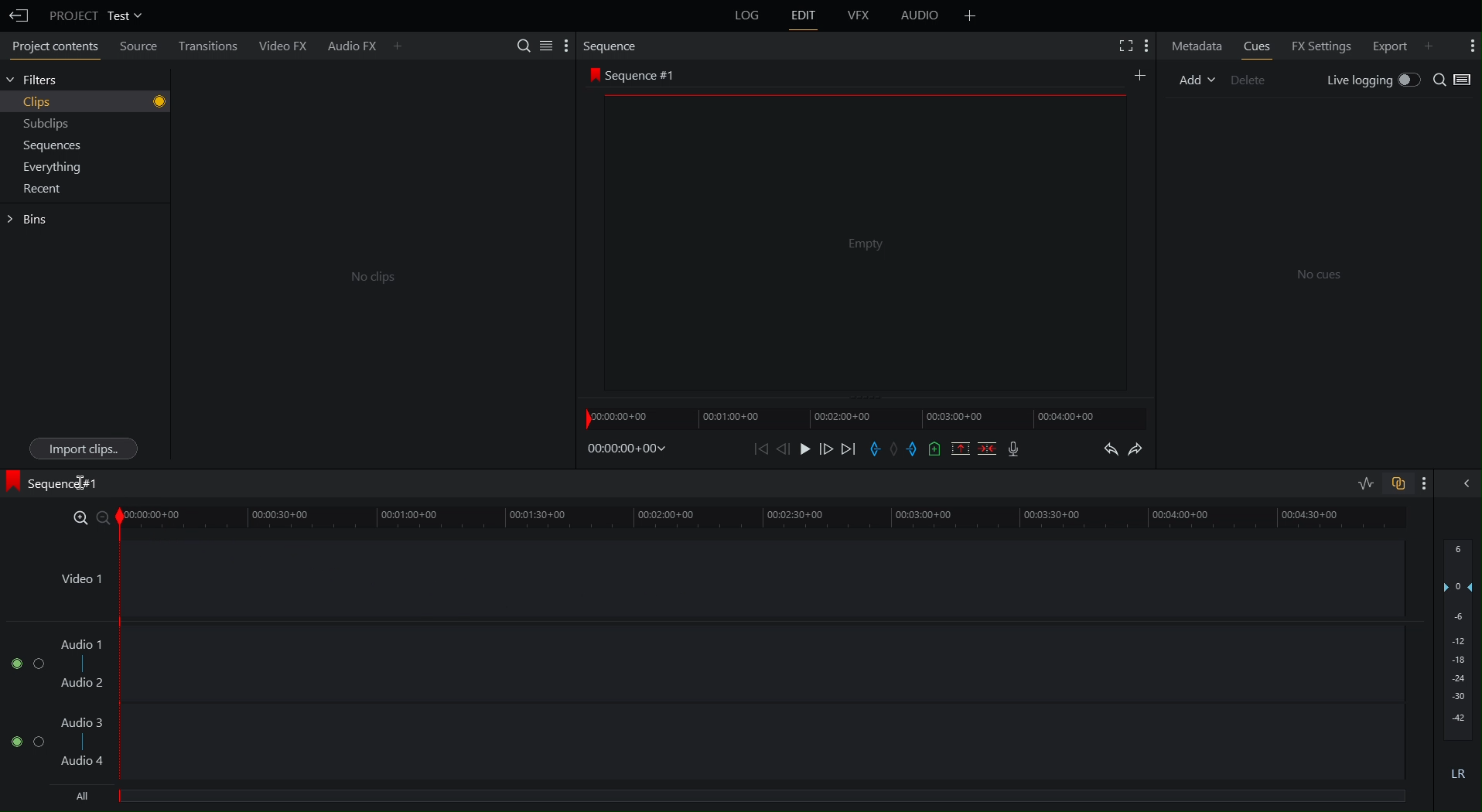 Image resolution: width=1482 pixels, height=812 pixels. I want to click on Gins, so click(31, 220).